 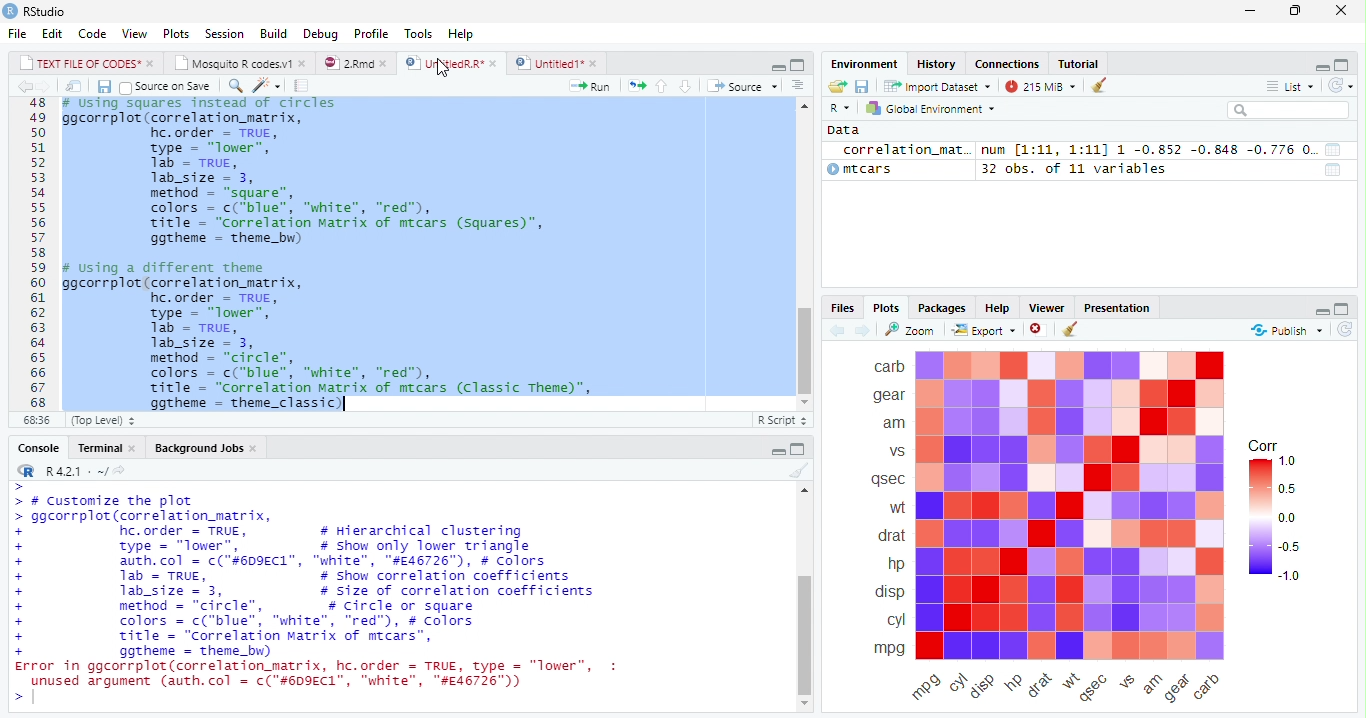 What do you see at coordinates (557, 63) in the screenshot?
I see ` Untitied1` at bounding box center [557, 63].